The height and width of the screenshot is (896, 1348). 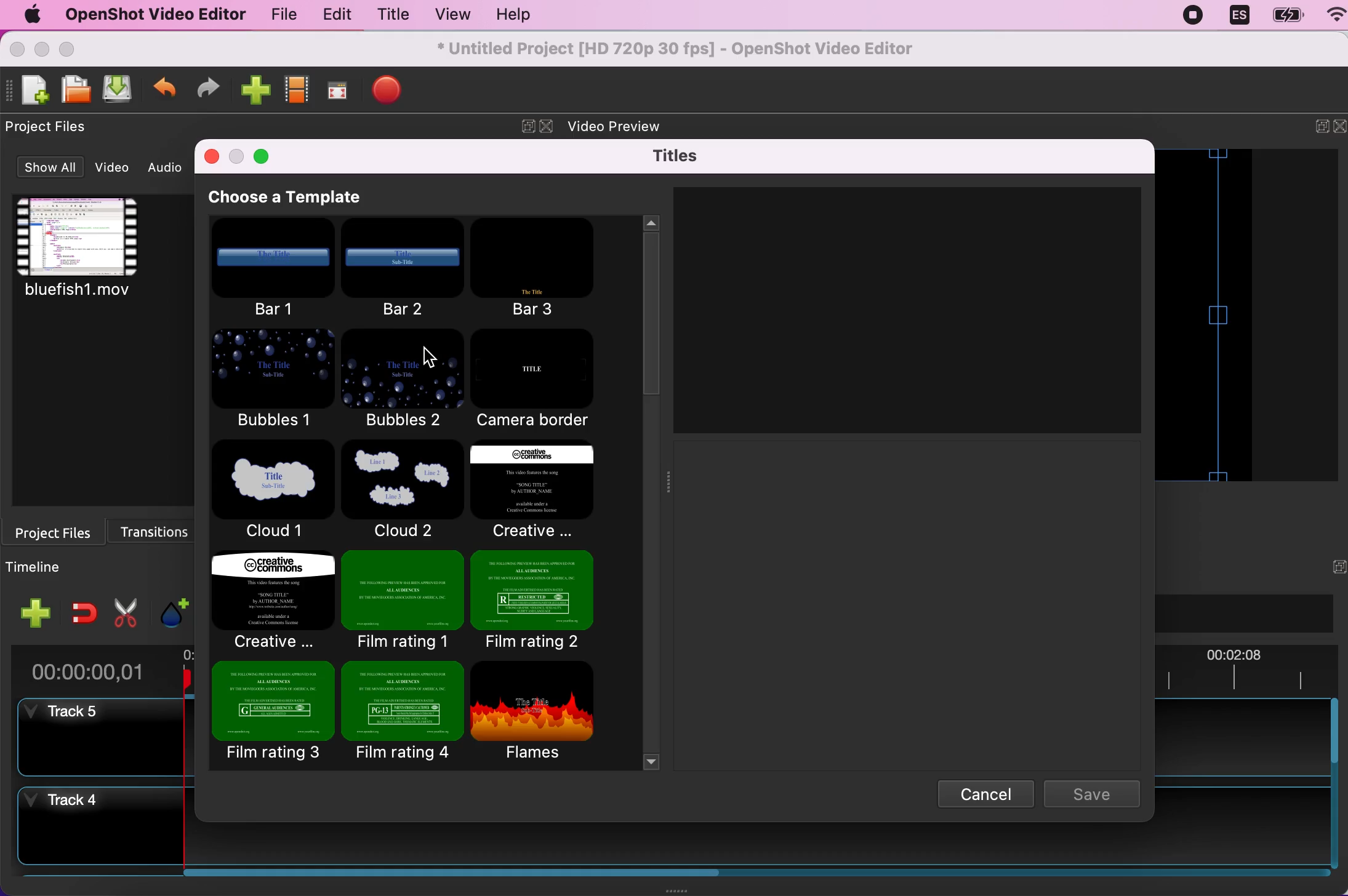 What do you see at coordinates (116, 167) in the screenshot?
I see `video` at bounding box center [116, 167].